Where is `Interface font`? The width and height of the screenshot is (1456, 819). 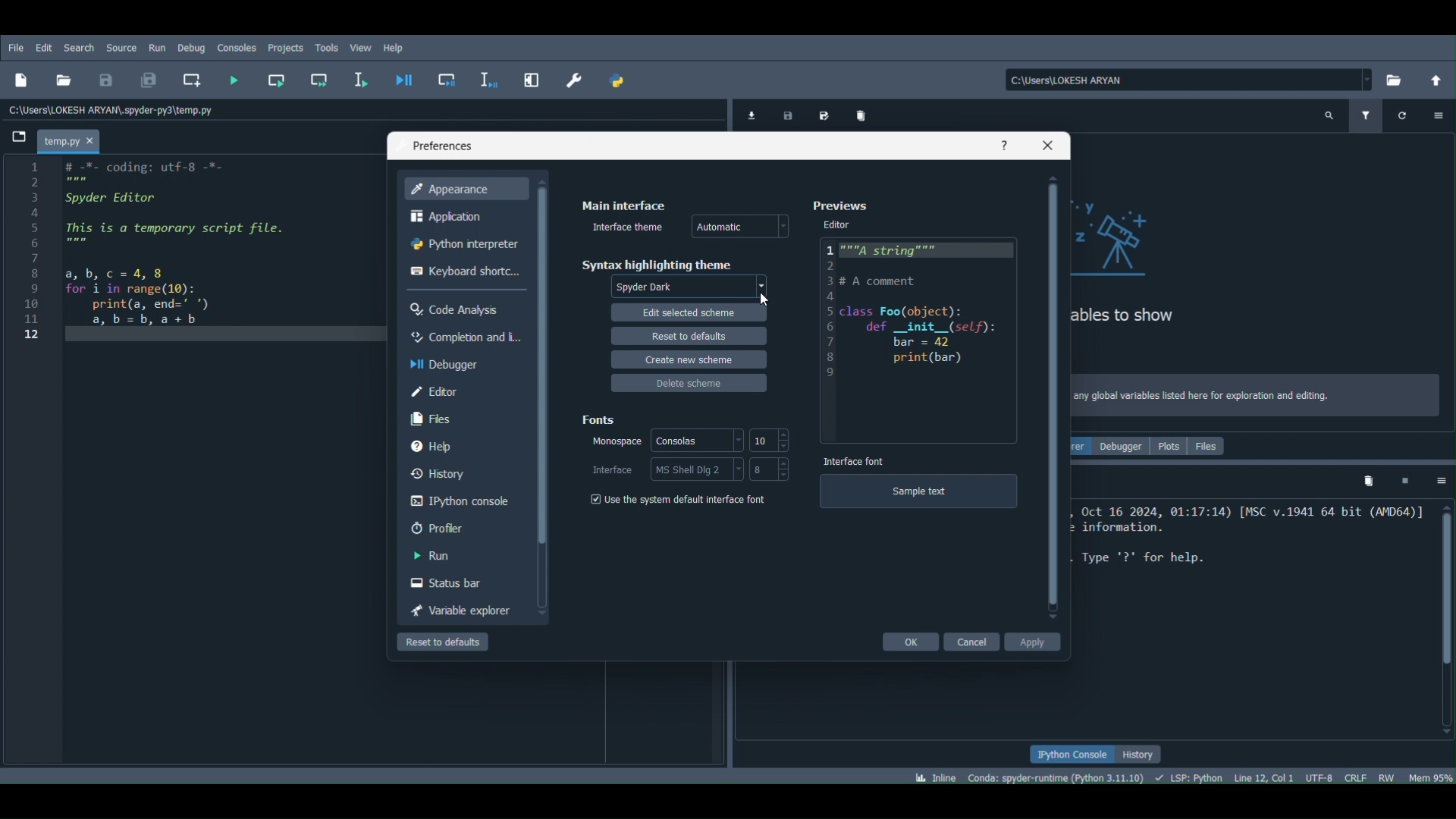 Interface font is located at coordinates (854, 460).